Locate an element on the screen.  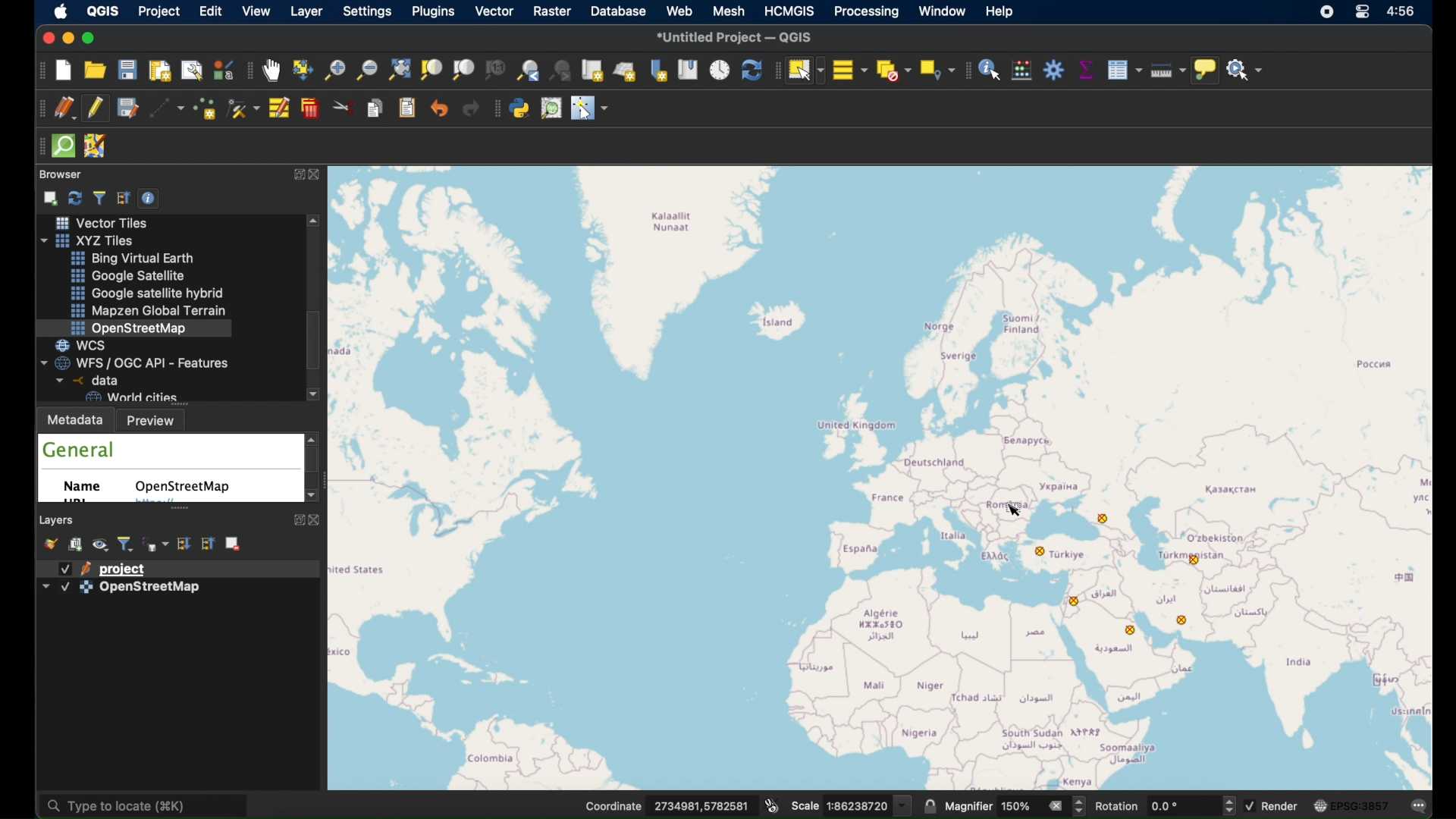
checkbox is located at coordinates (65, 588).